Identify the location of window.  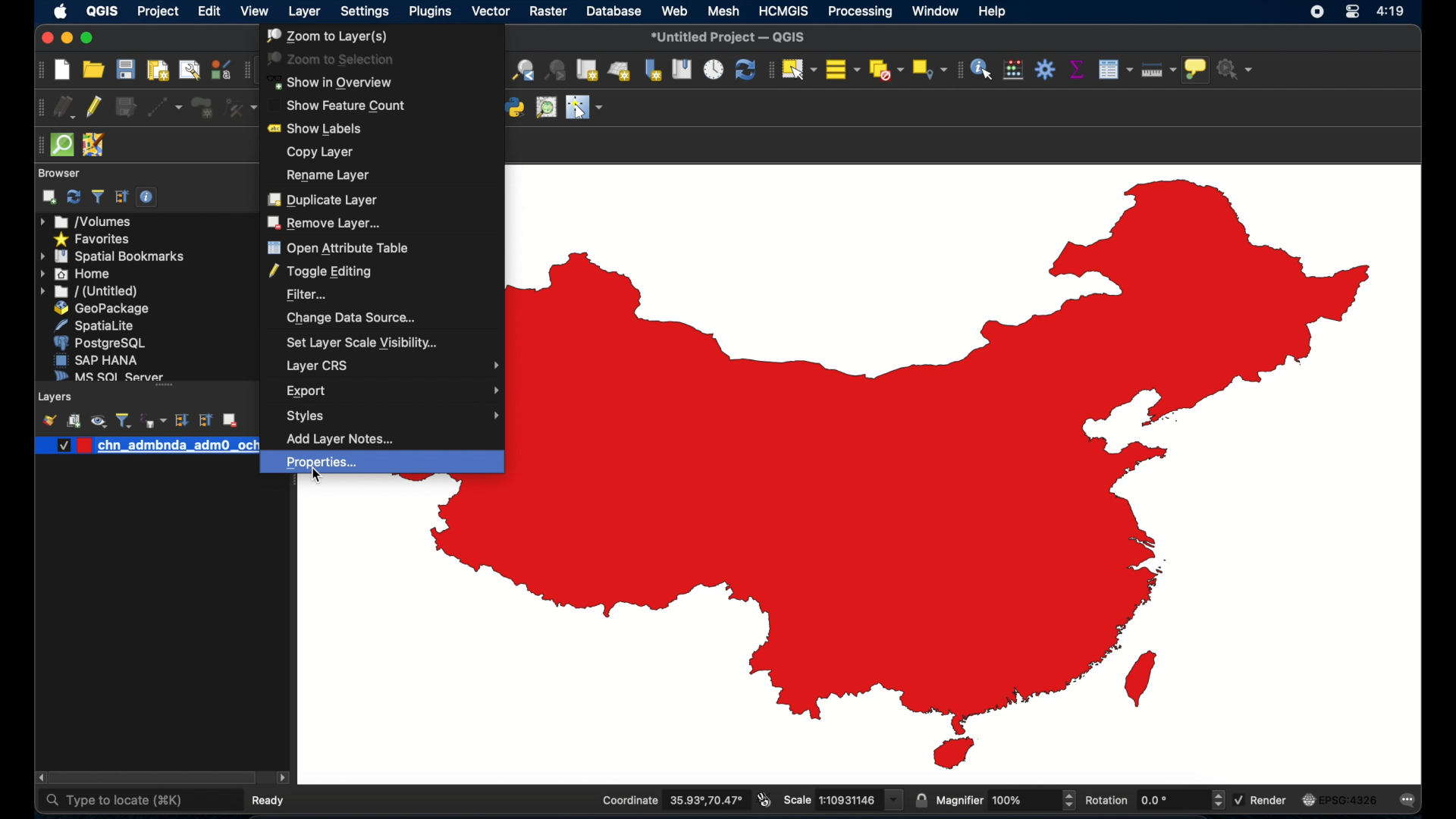
(937, 11).